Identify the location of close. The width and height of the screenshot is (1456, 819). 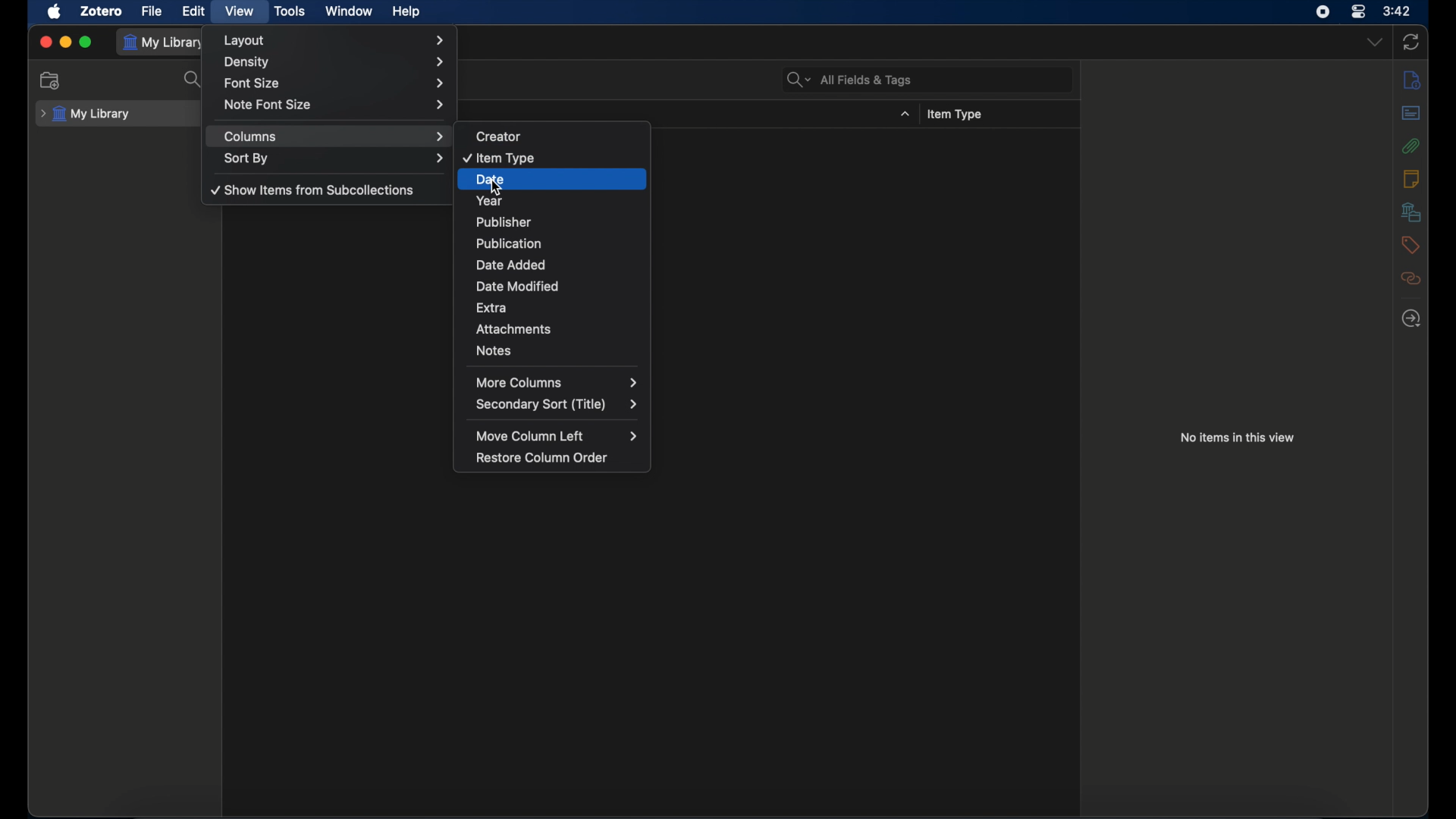
(45, 42).